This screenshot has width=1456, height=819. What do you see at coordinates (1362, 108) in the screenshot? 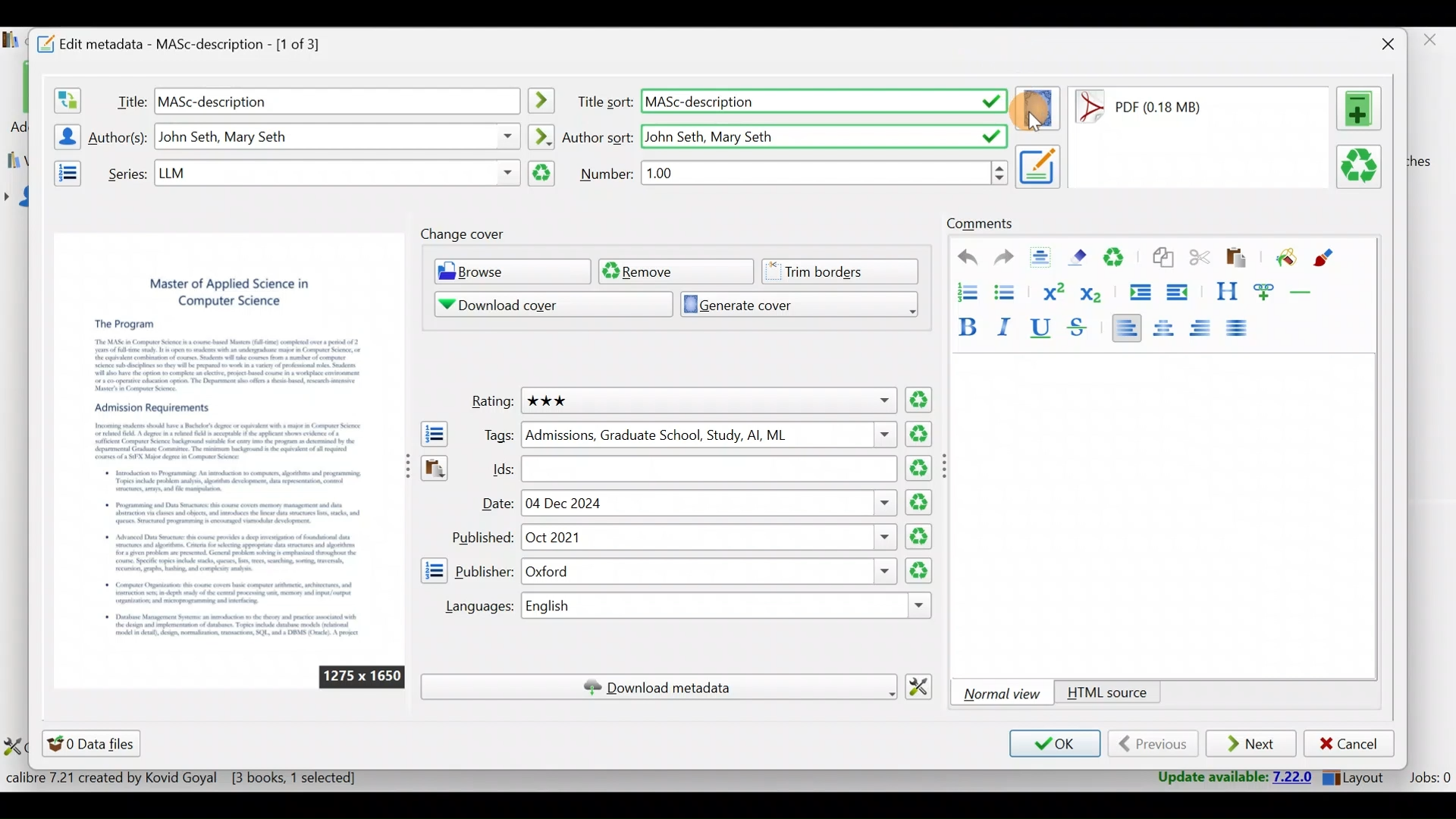
I see `Add a format to this book` at bounding box center [1362, 108].